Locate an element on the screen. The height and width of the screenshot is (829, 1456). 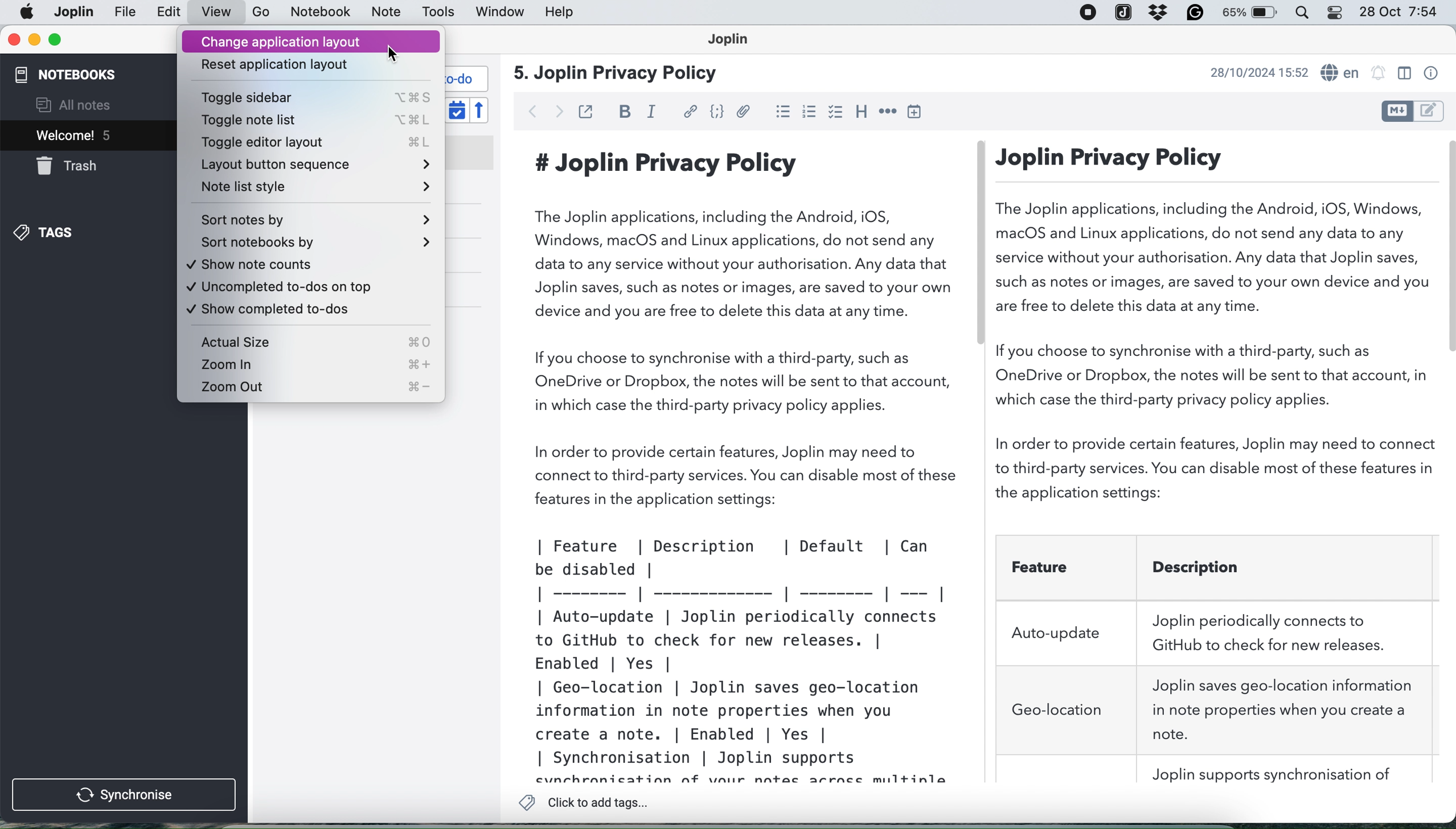
click to add tags is located at coordinates (588, 803).